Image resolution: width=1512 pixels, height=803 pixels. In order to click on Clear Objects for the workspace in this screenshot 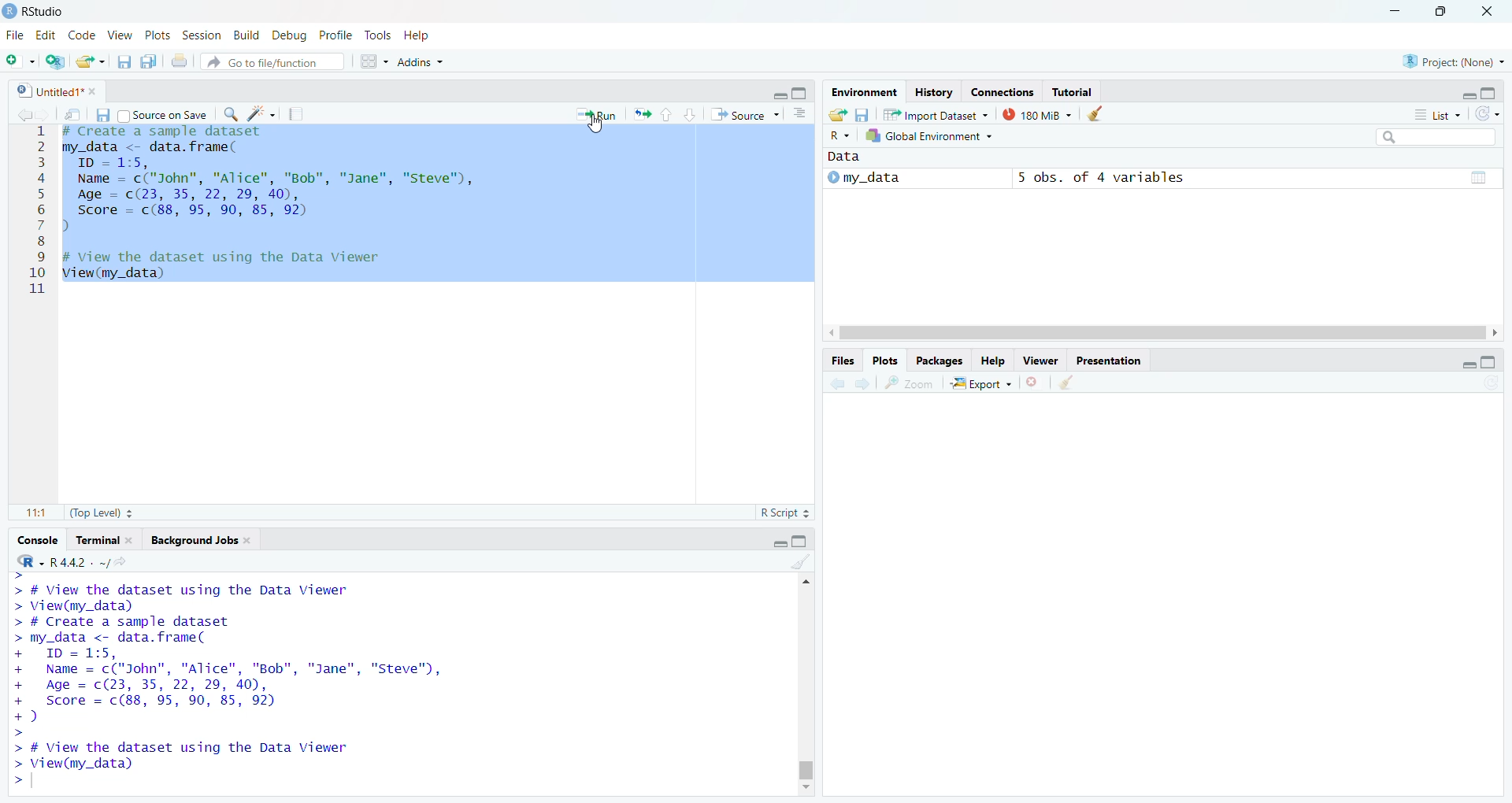, I will do `click(798, 561)`.